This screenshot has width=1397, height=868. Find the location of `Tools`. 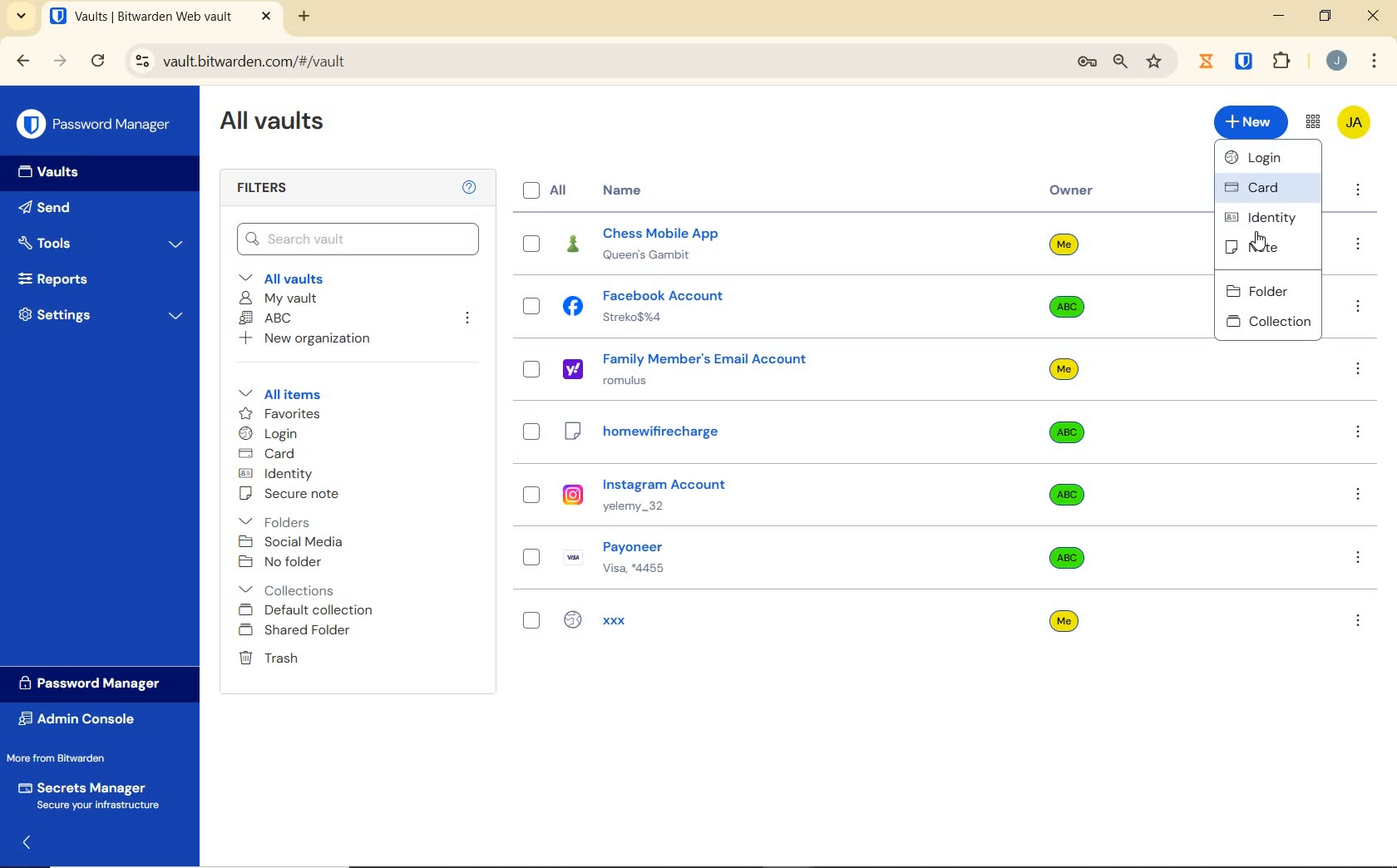

Tools is located at coordinates (101, 241).